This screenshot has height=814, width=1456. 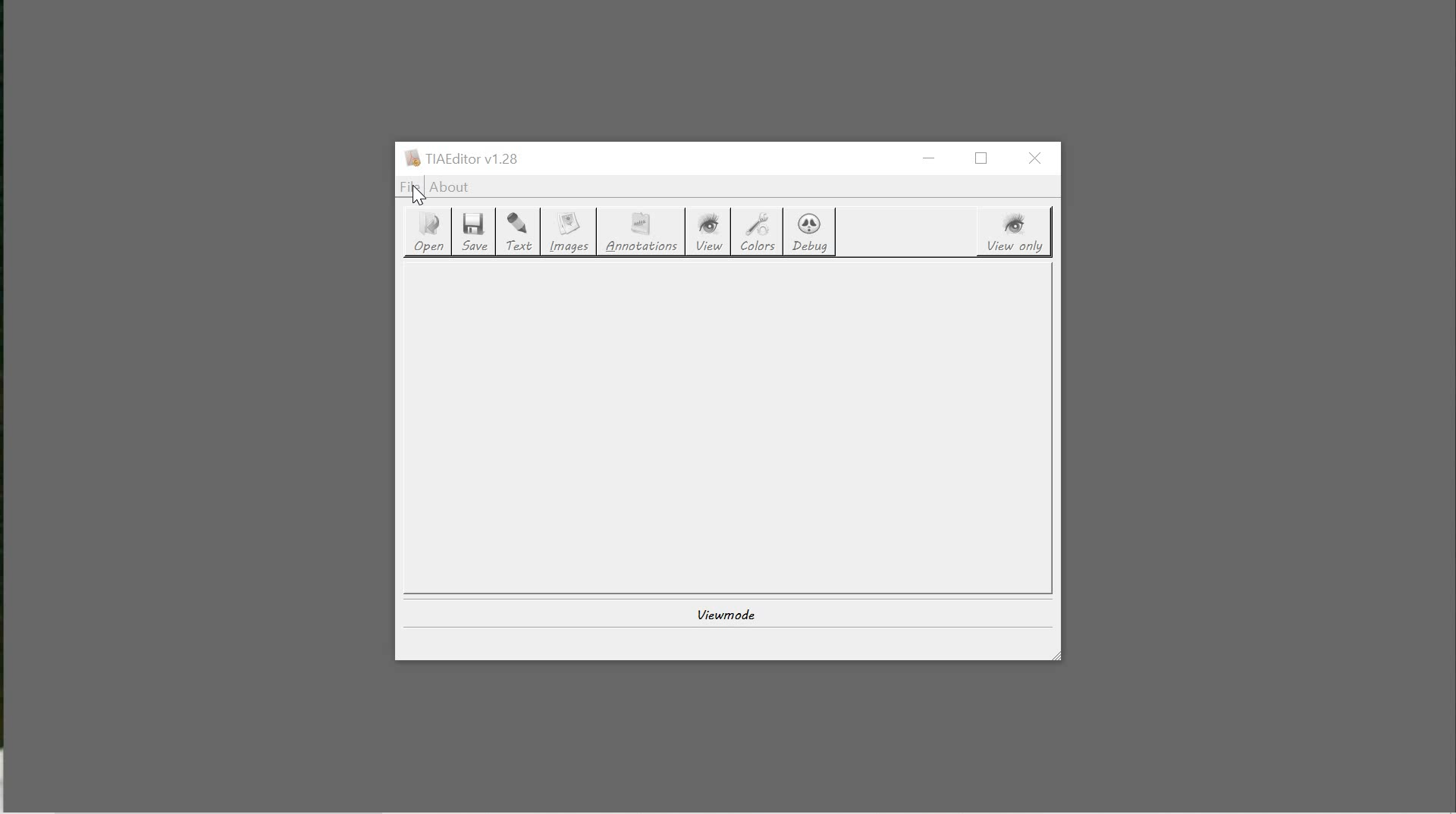 I want to click on colors, so click(x=759, y=233).